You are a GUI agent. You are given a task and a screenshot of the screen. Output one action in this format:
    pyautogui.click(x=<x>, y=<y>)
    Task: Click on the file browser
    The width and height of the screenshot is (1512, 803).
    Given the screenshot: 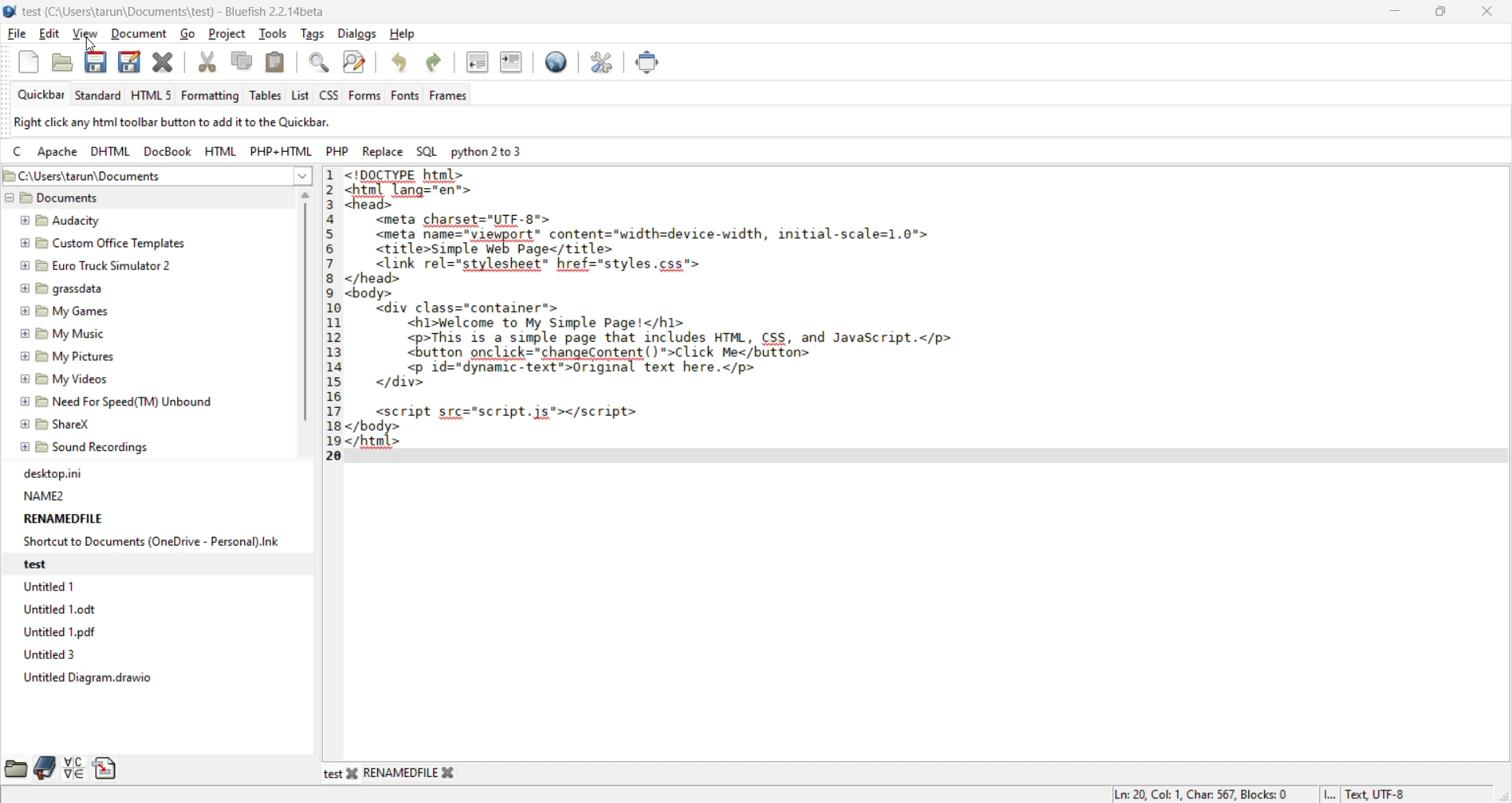 What is the action you would take?
    pyautogui.click(x=15, y=767)
    